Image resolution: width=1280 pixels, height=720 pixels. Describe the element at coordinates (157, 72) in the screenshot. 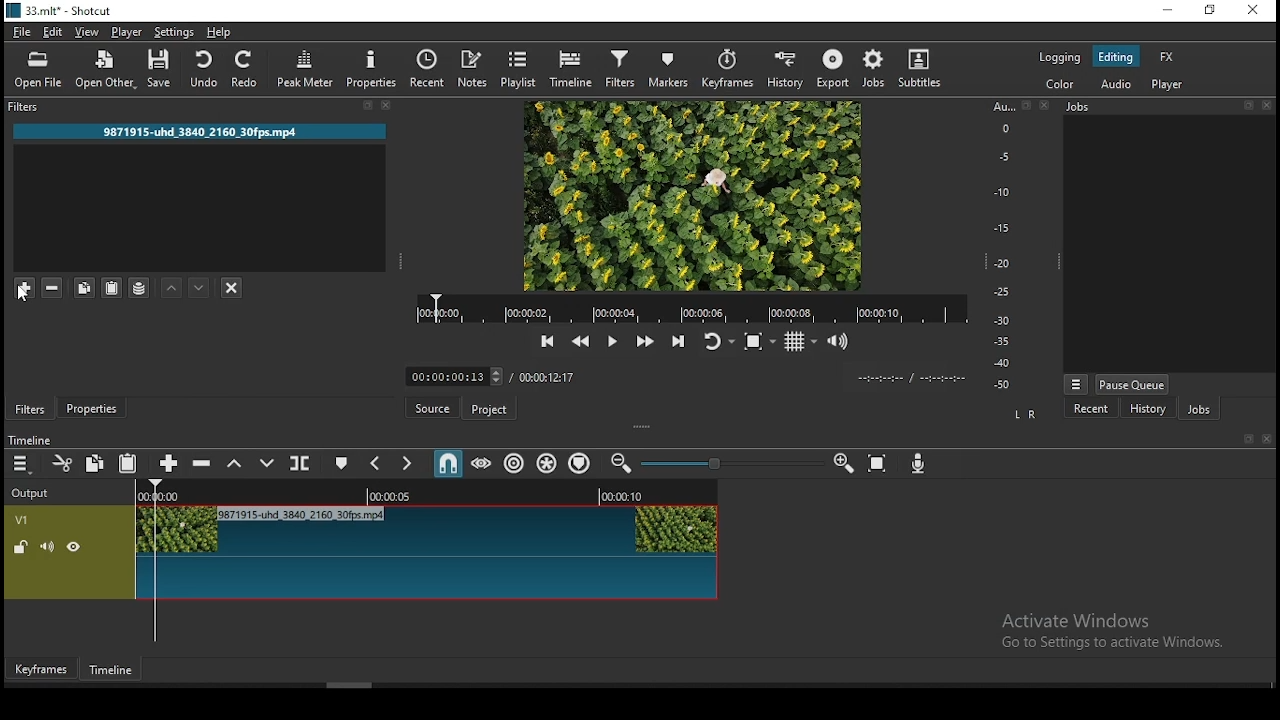

I see `save` at that location.